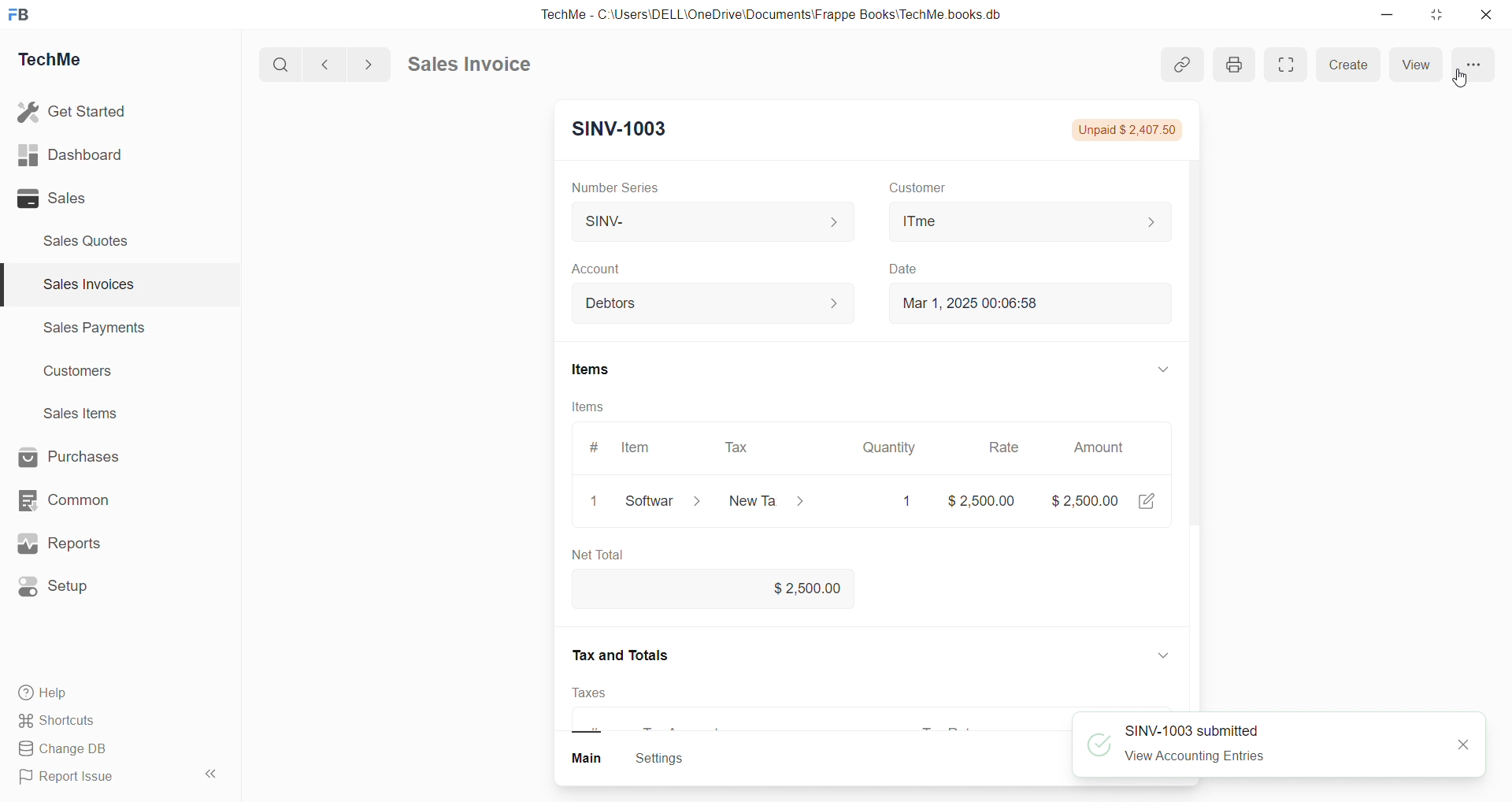 The width and height of the screenshot is (1512, 802). What do you see at coordinates (73, 779) in the screenshot?
I see ` Report Issue` at bounding box center [73, 779].